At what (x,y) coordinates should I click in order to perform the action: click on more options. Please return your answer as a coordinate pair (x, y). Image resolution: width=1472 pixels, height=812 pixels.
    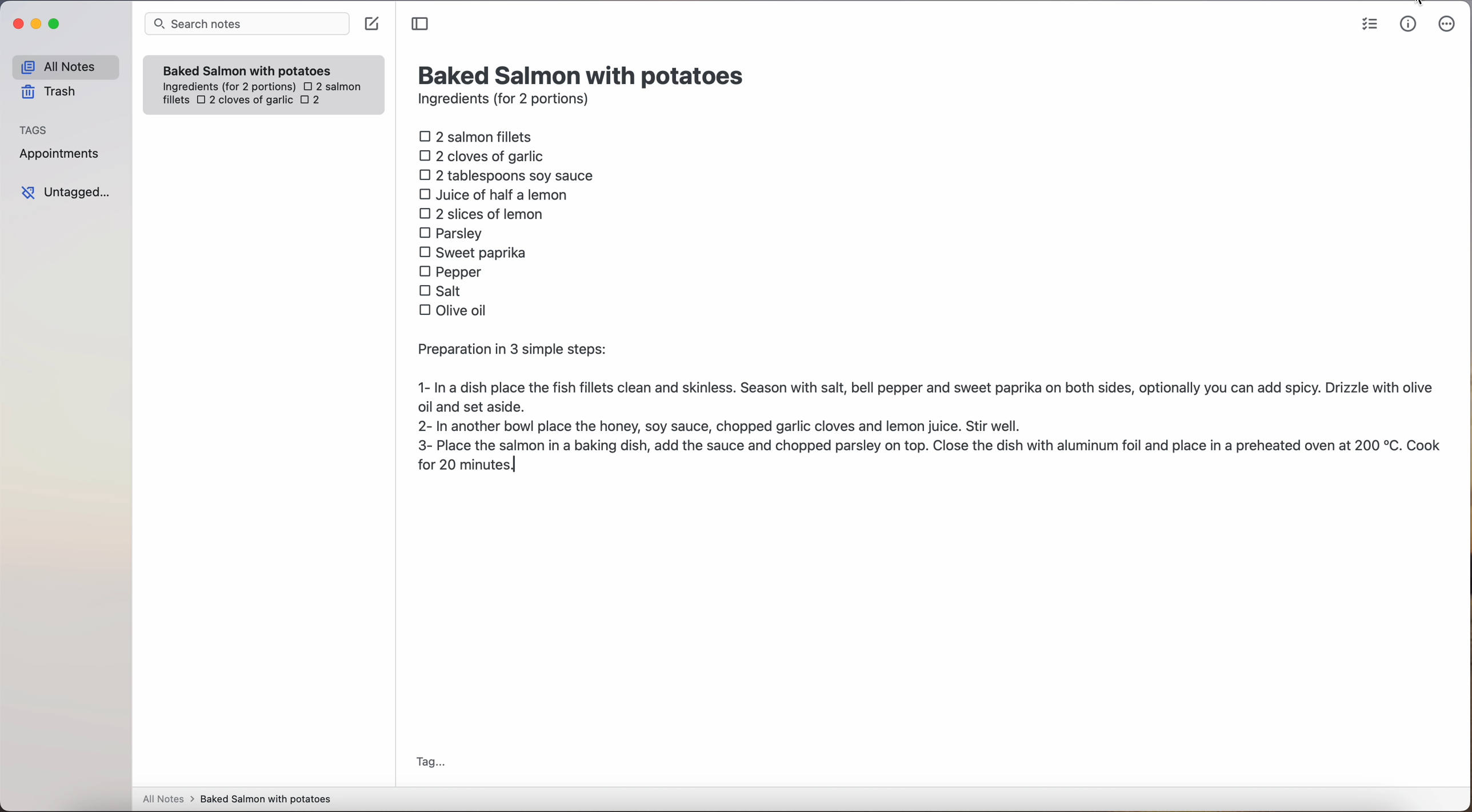
    Looking at the image, I should click on (1449, 25).